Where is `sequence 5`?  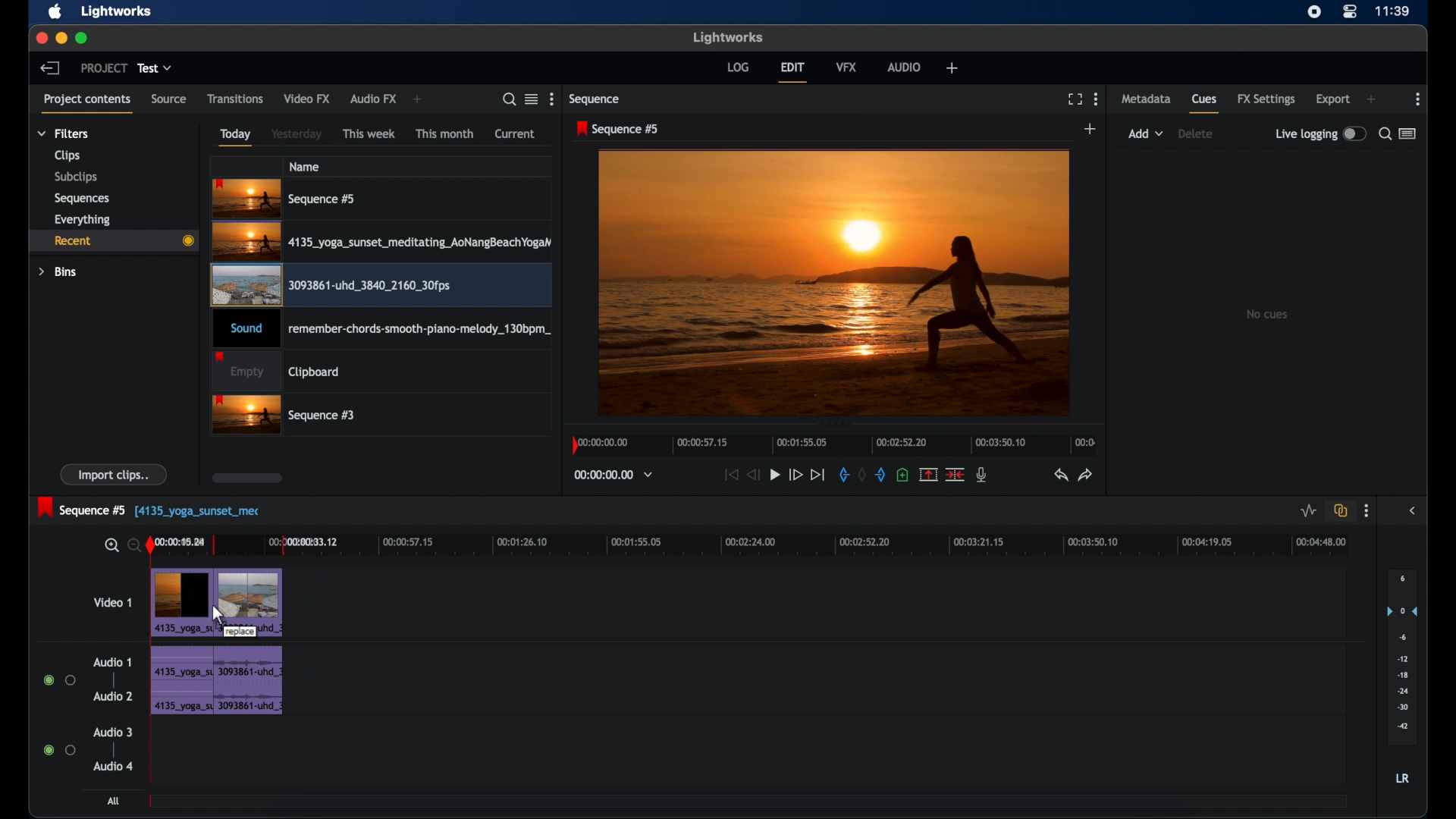 sequence 5 is located at coordinates (287, 199).